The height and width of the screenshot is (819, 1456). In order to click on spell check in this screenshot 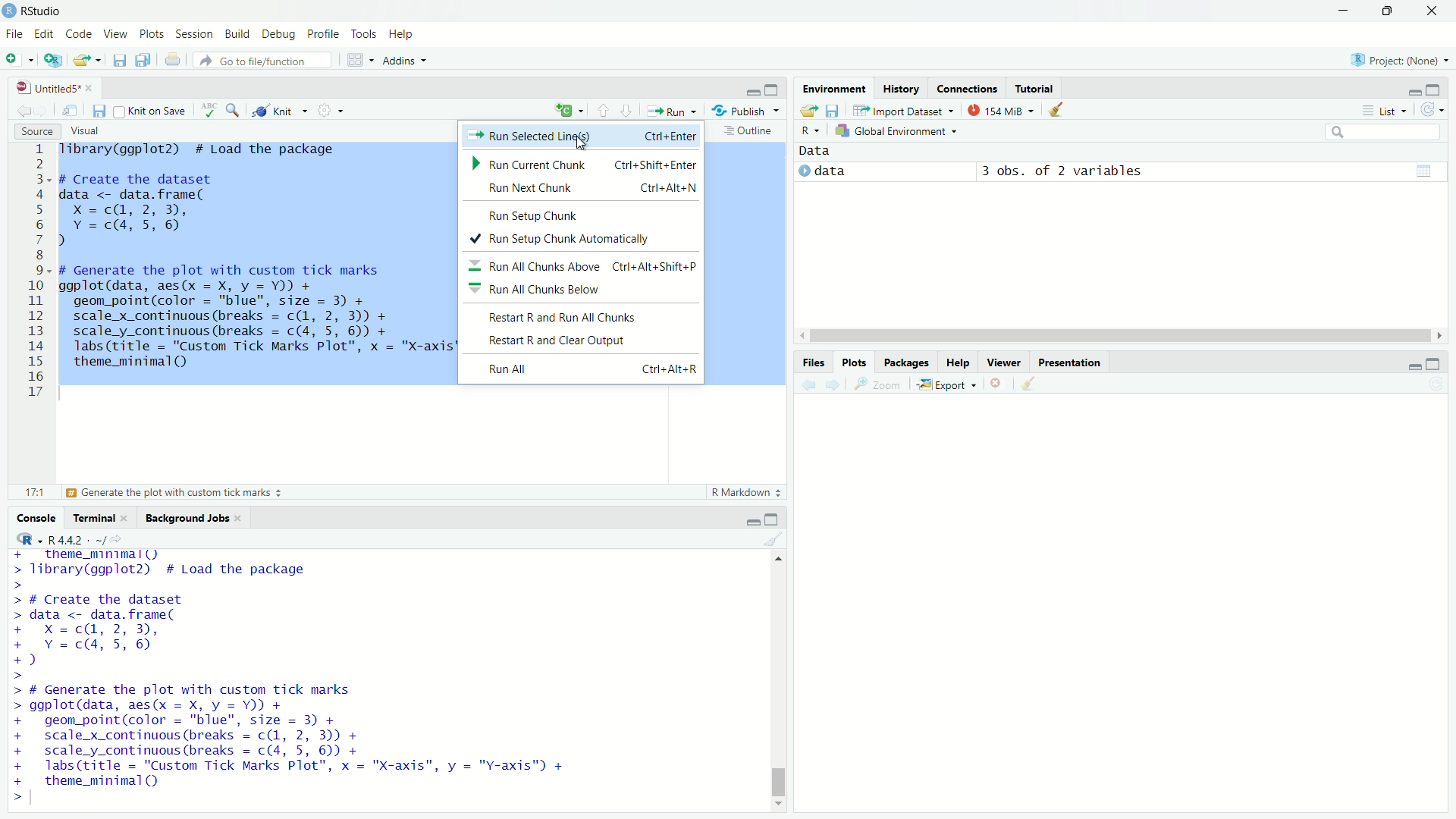, I will do `click(212, 110)`.